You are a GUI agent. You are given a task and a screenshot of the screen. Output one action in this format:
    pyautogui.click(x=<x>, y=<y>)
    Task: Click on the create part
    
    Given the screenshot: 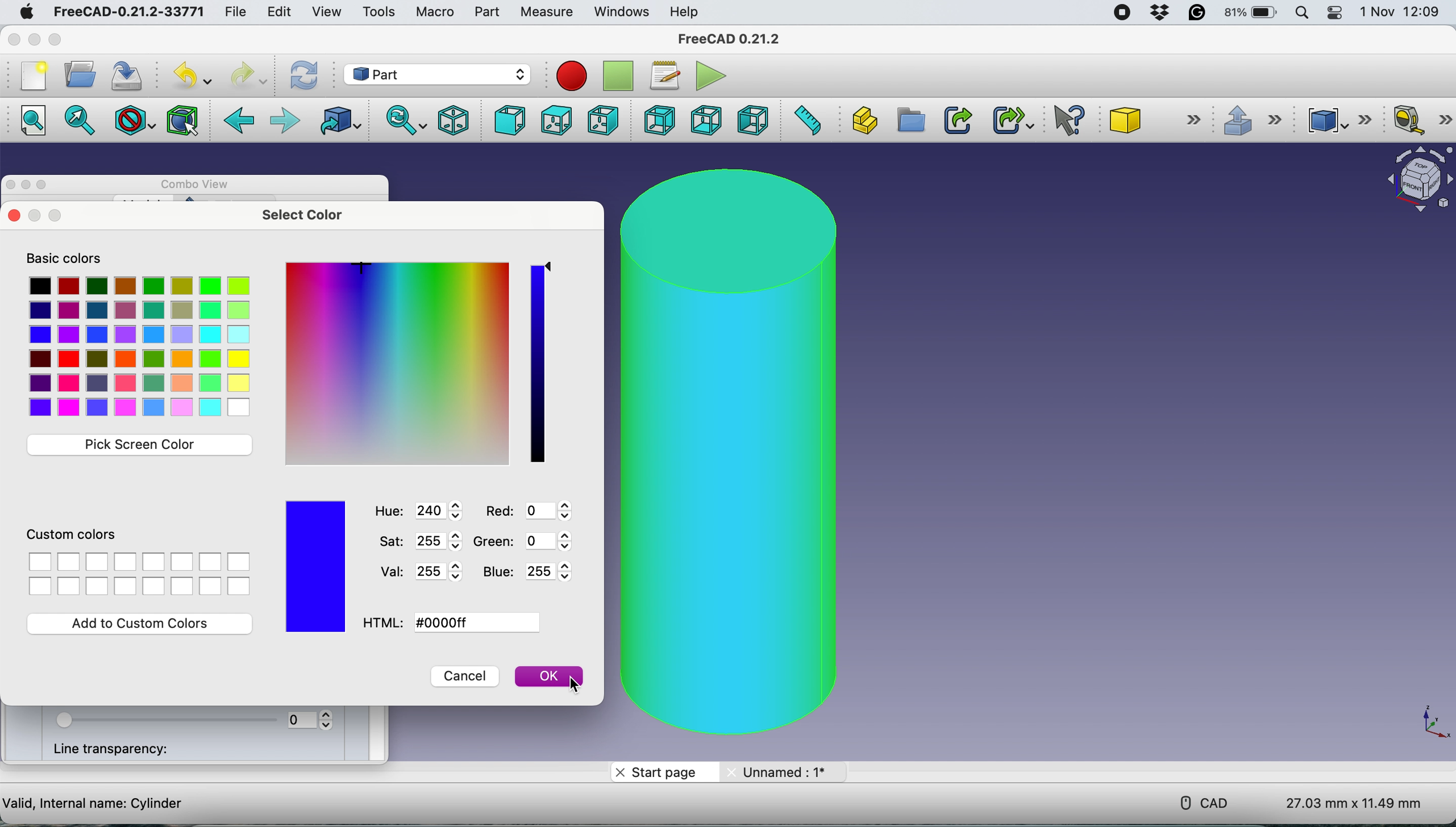 What is the action you would take?
    pyautogui.click(x=862, y=120)
    